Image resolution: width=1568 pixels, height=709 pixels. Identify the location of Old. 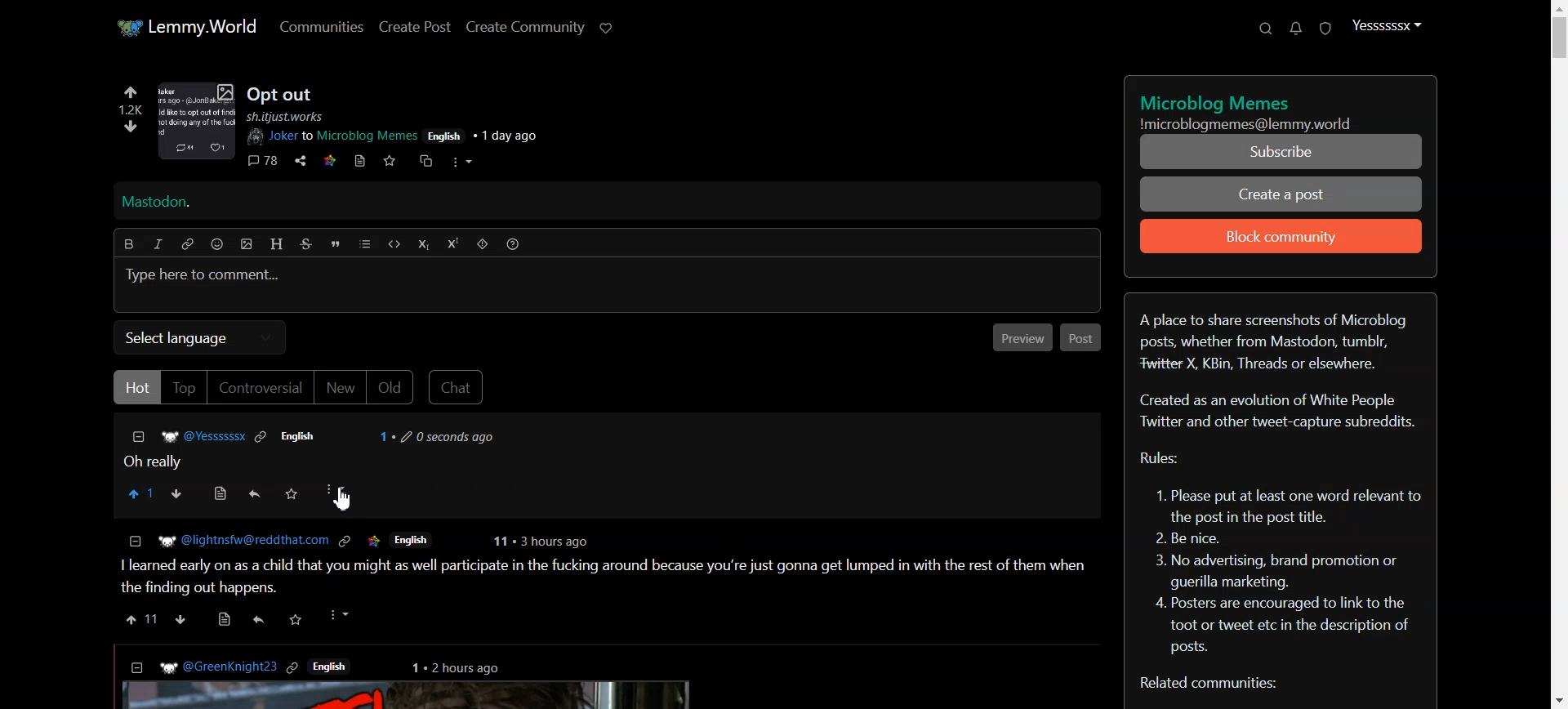
(391, 387).